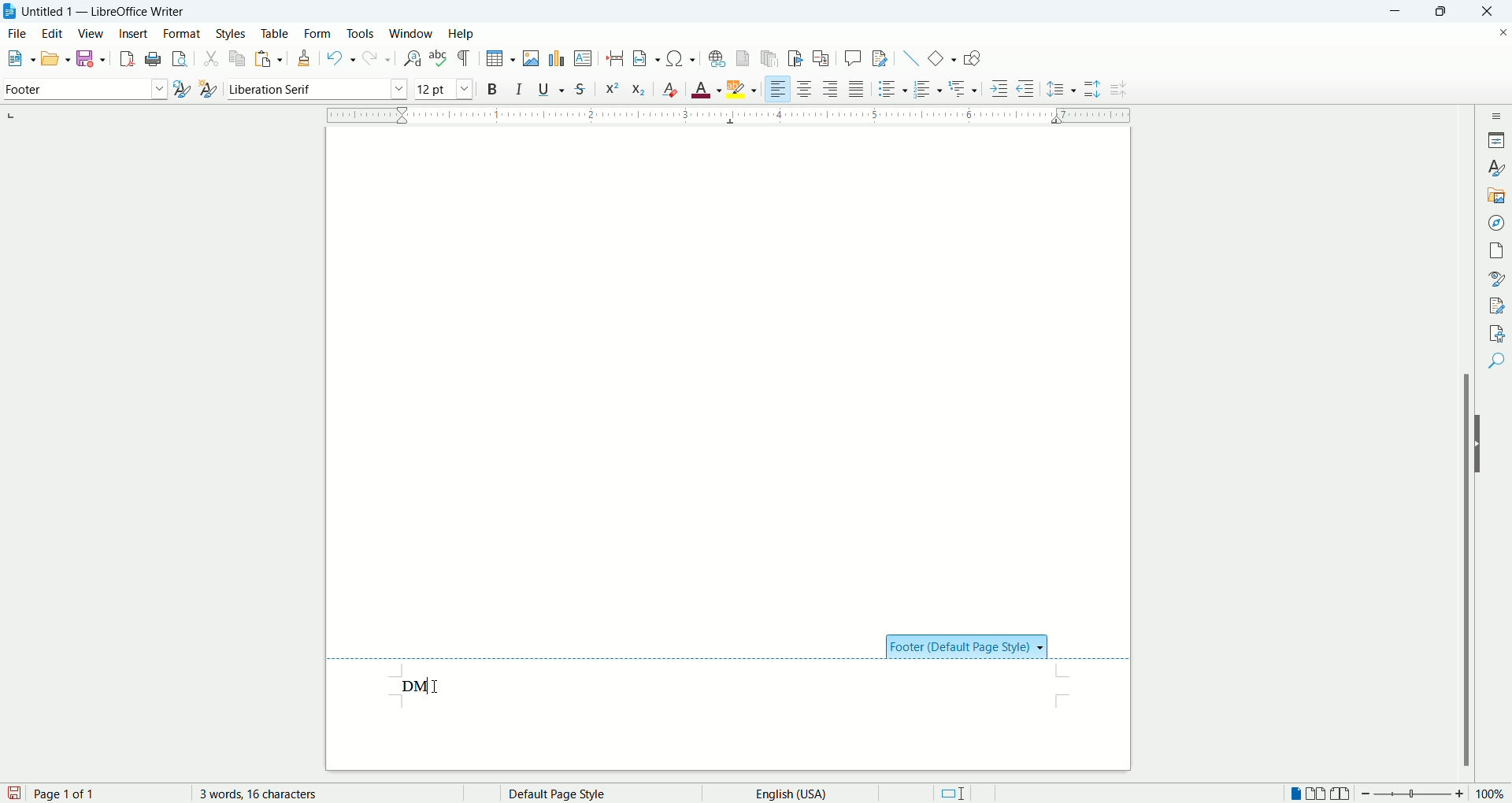 Image resolution: width=1512 pixels, height=803 pixels. I want to click on line spacing, so click(1062, 91).